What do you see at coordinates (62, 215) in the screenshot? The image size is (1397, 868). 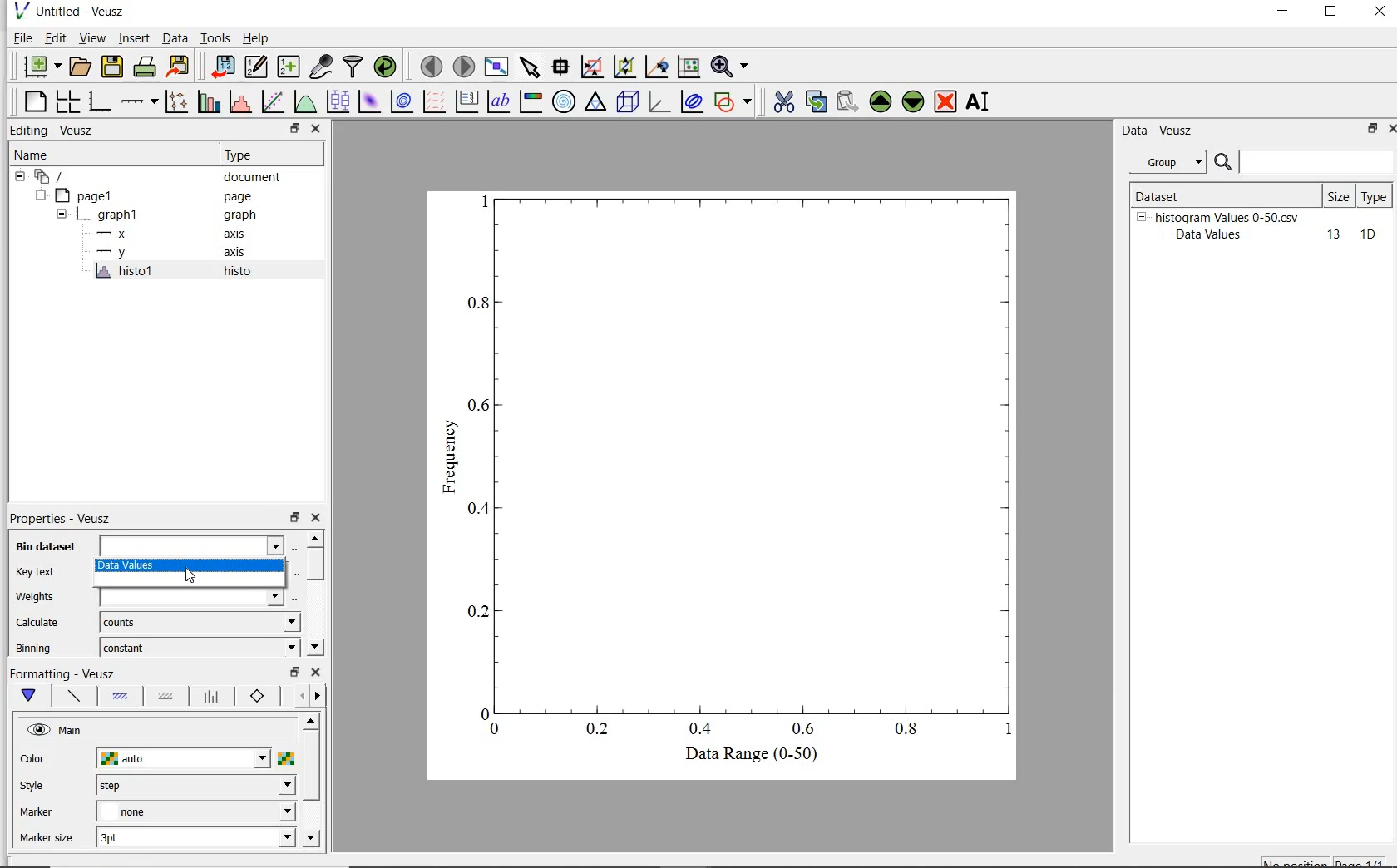 I see `hide` at bounding box center [62, 215].